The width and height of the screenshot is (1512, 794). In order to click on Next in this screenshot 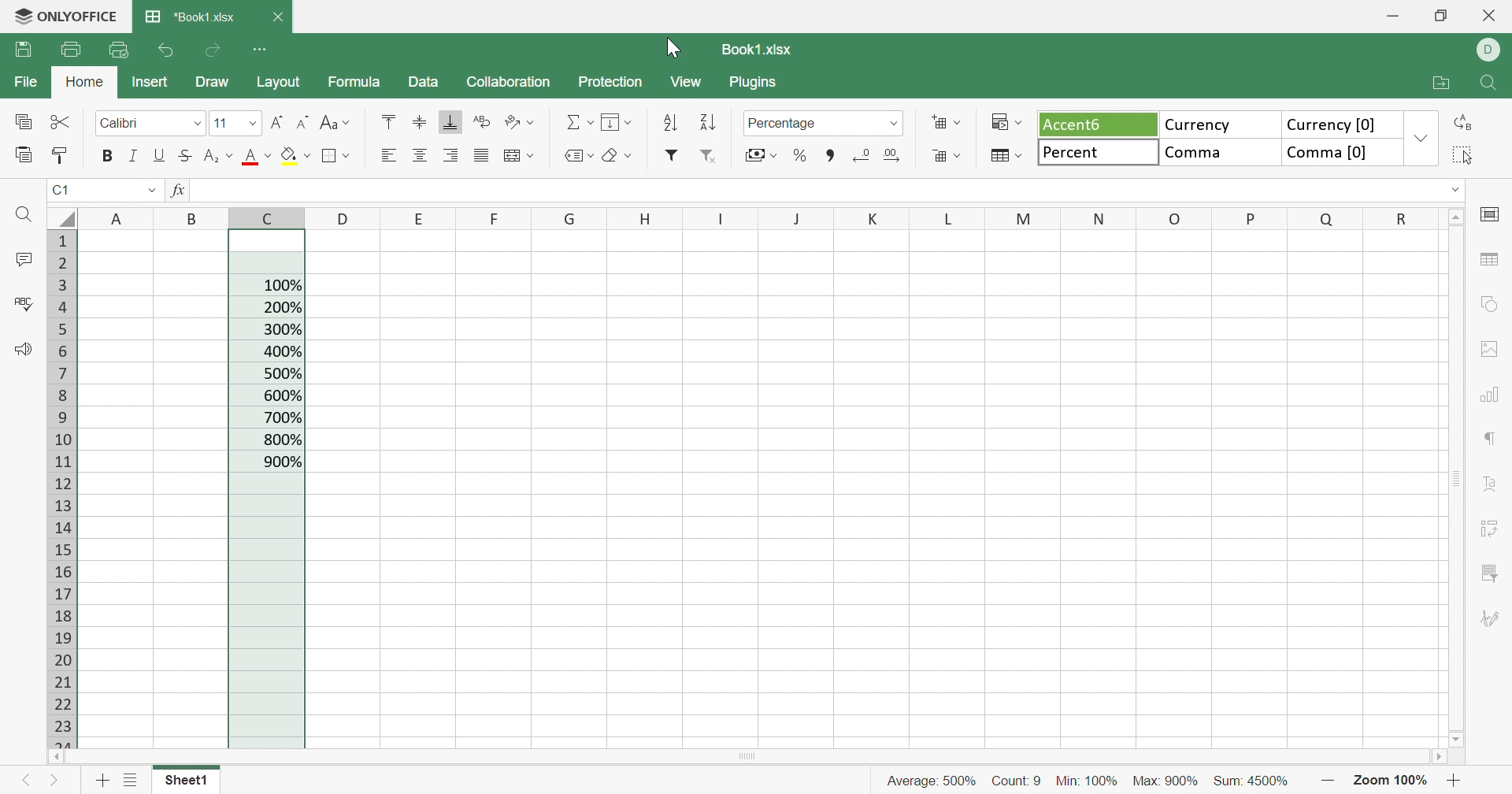, I will do `click(57, 783)`.